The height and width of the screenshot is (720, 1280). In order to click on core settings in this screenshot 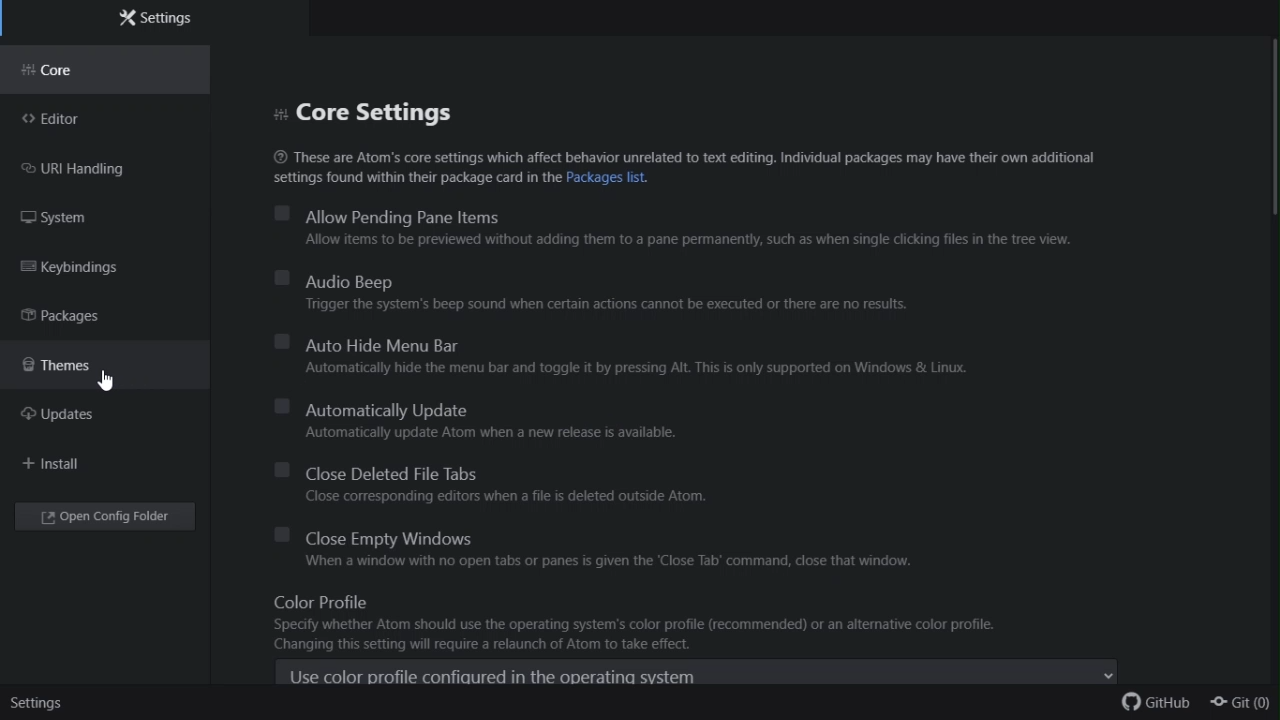, I will do `click(373, 111)`.